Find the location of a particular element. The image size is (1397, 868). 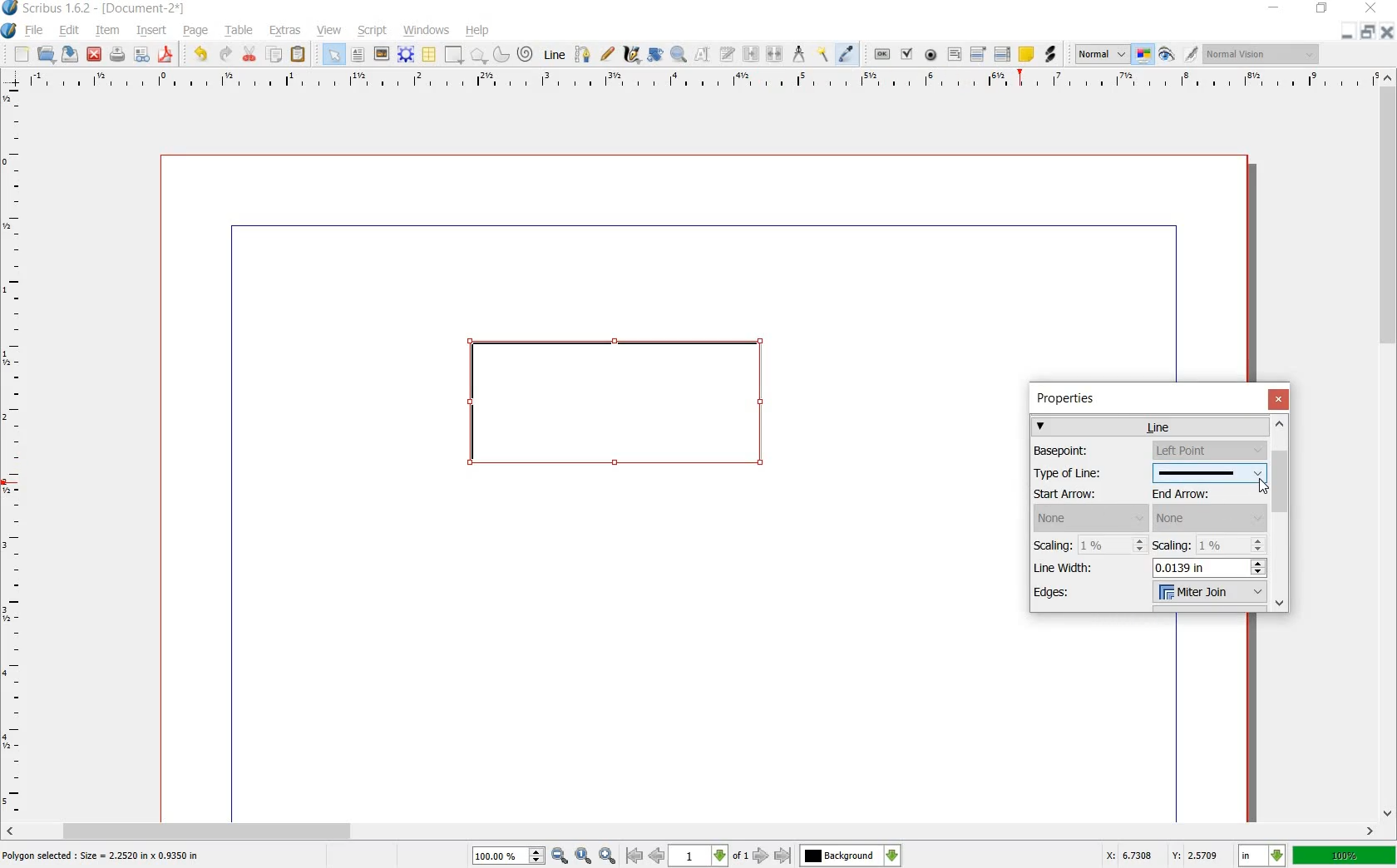

HELP is located at coordinates (477, 32).